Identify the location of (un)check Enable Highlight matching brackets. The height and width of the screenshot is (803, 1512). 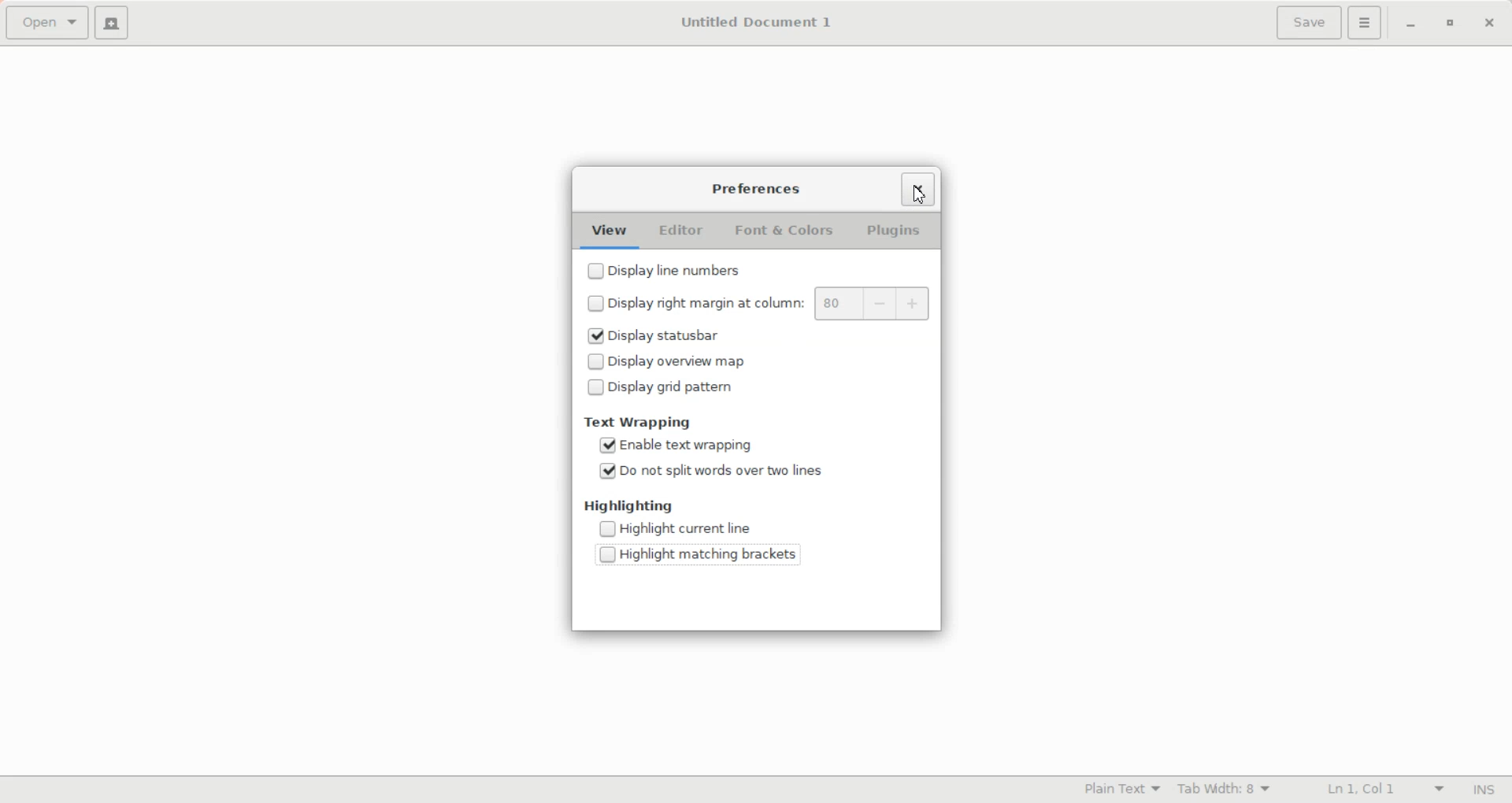
(706, 552).